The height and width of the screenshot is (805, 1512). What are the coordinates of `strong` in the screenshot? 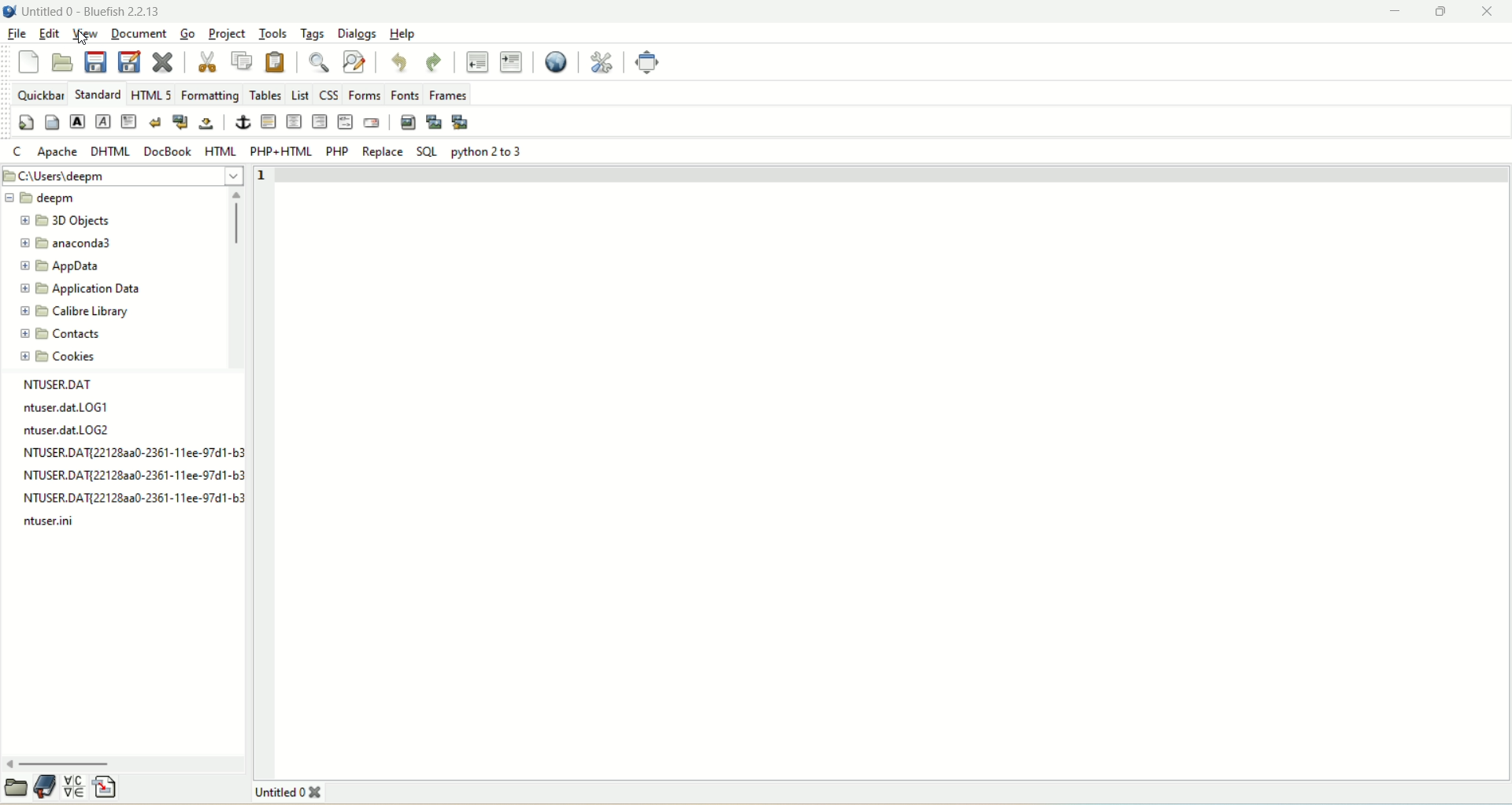 It's located at (76, 121).